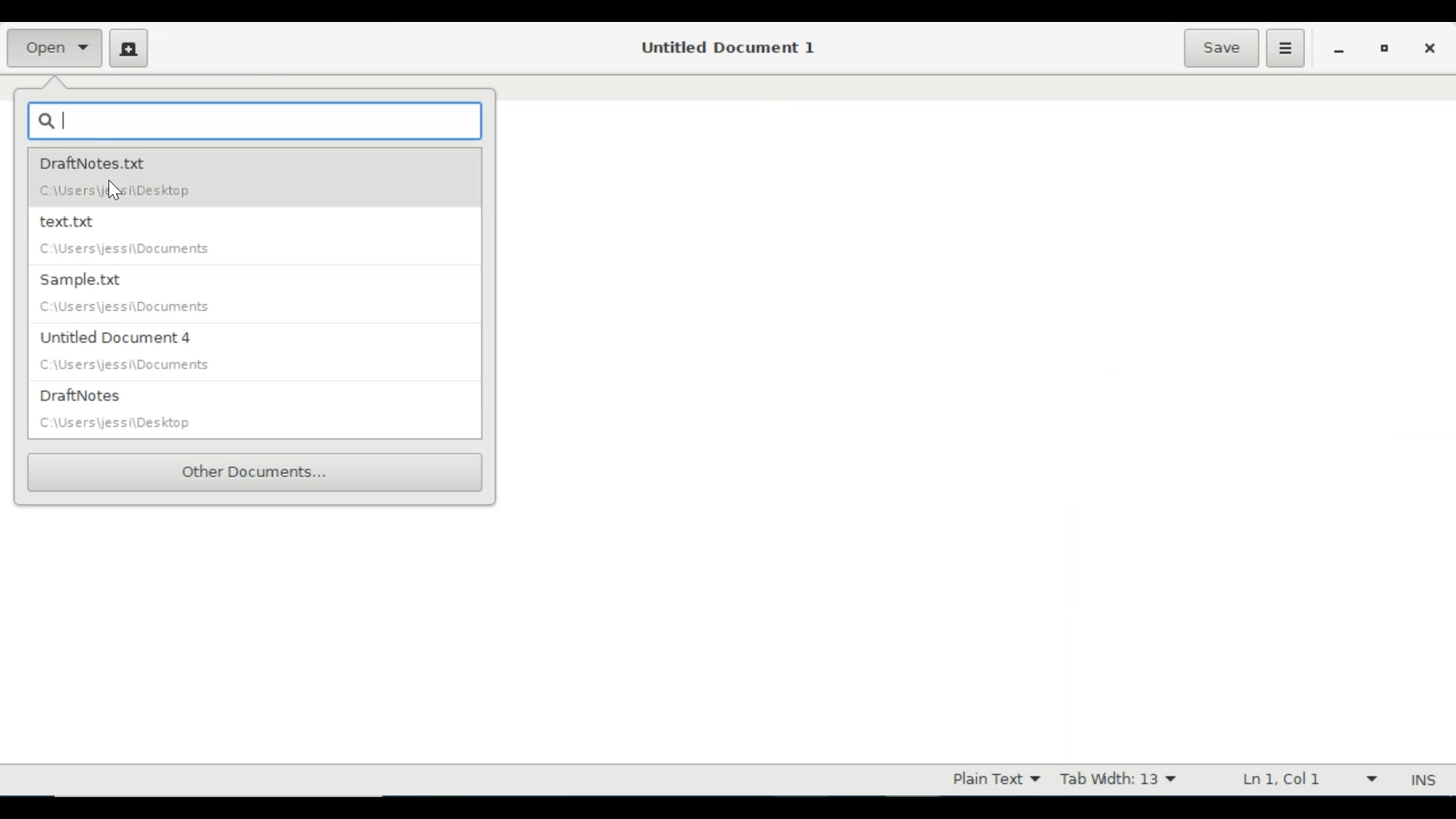 This screenshot has height=819, width=1456. Describe the element at coordinates (256, 119) in the screenshot. I see `Enter document name` at that location.